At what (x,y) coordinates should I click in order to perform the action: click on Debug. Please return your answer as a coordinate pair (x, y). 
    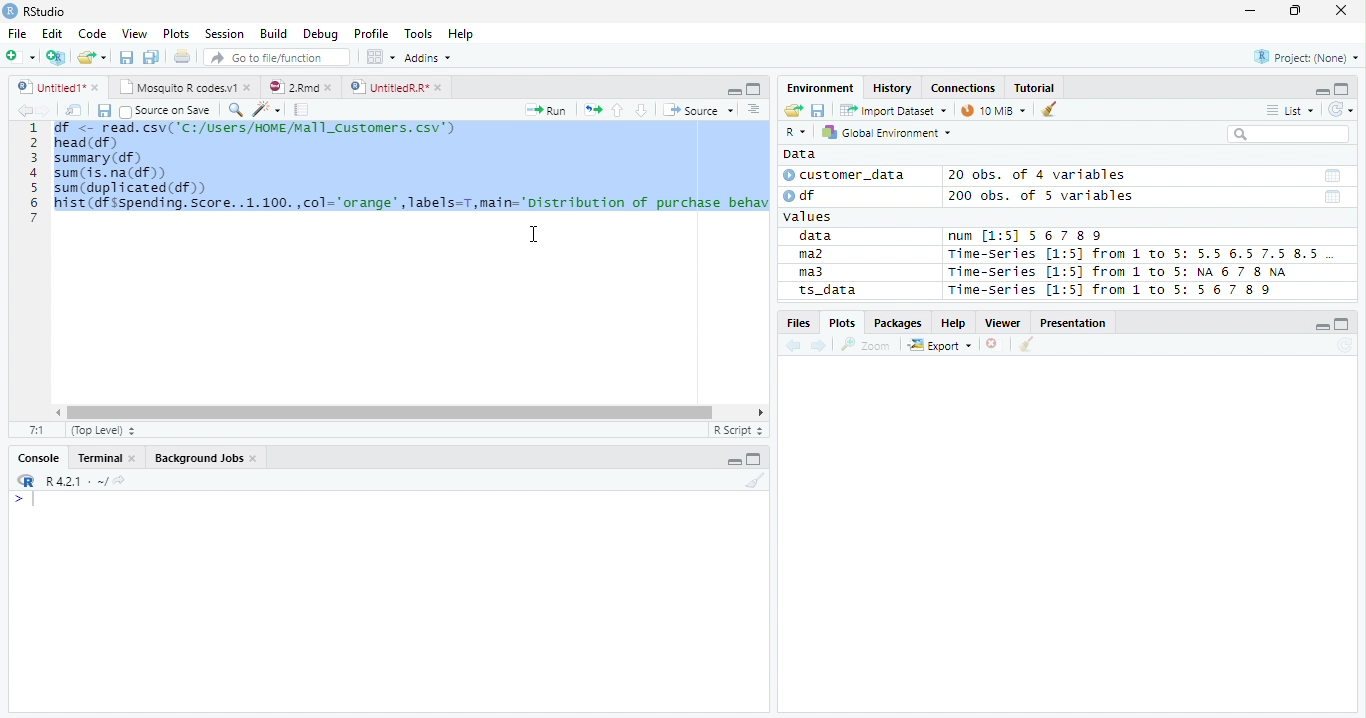
    Looking at the image, I should click on (321, 35).